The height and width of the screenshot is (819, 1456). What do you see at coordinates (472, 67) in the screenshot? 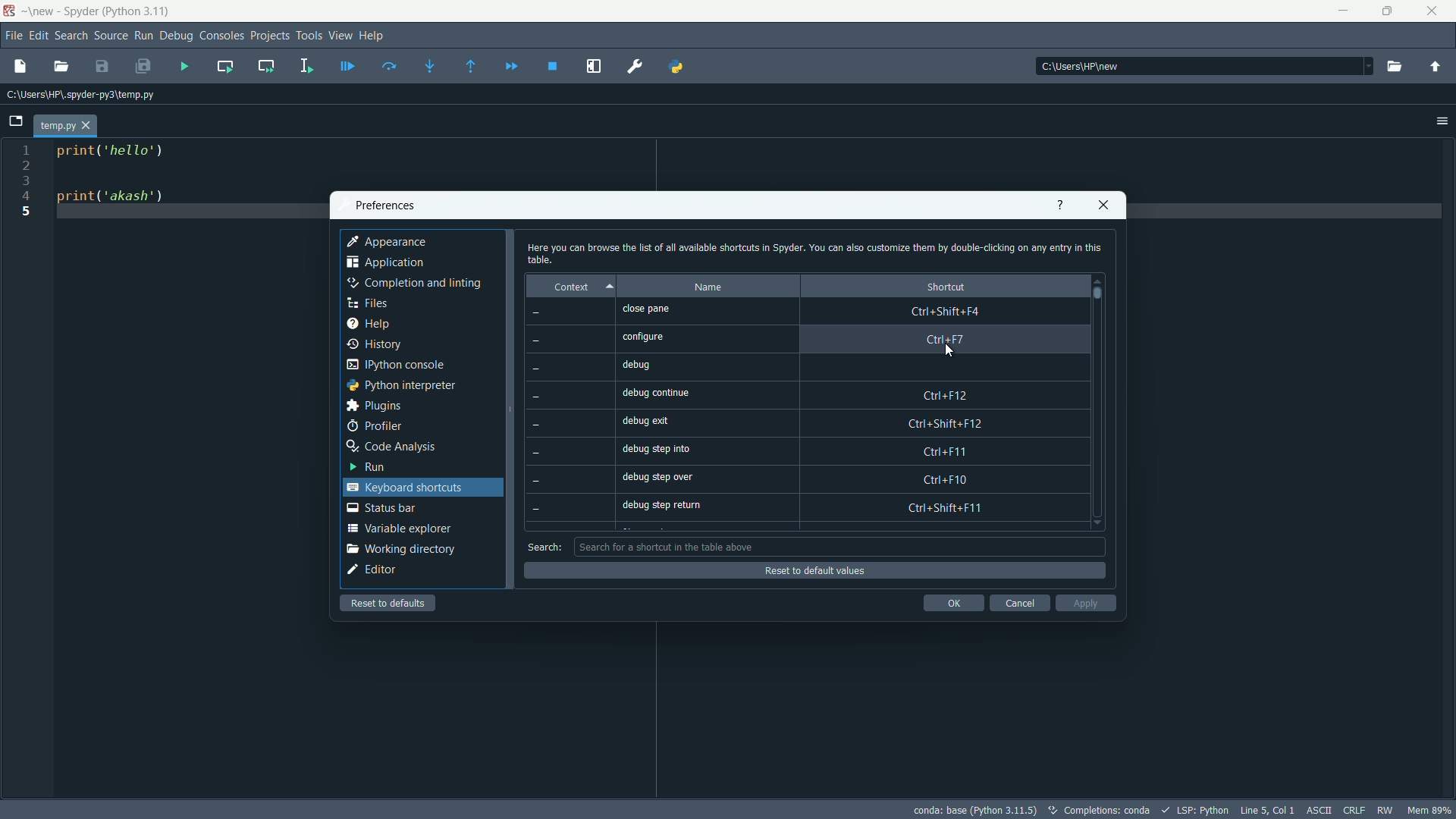
I see `run until next function` at bounding box center [472, 67].